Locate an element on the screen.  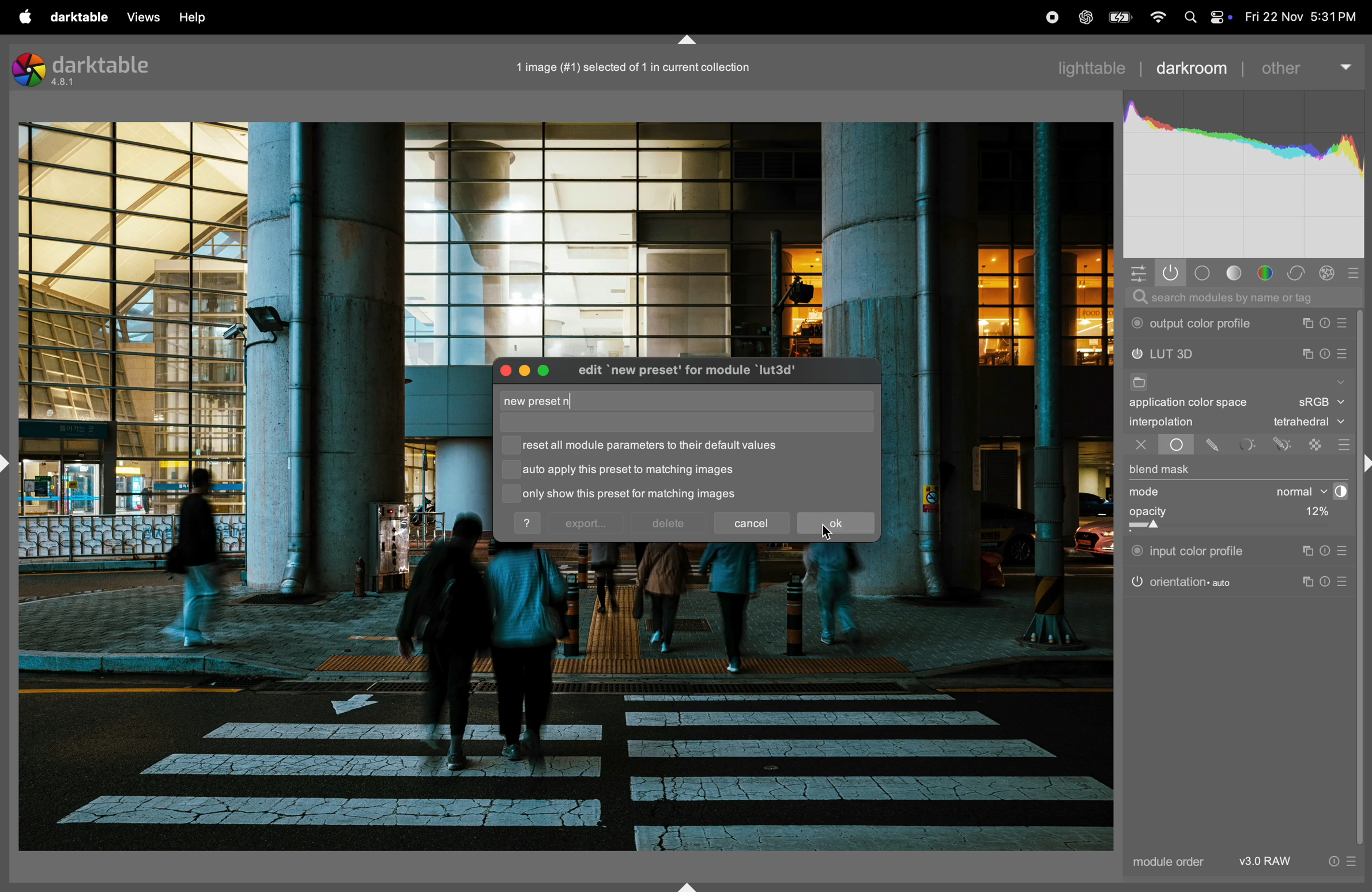
help is located at coordinates (195, 17).